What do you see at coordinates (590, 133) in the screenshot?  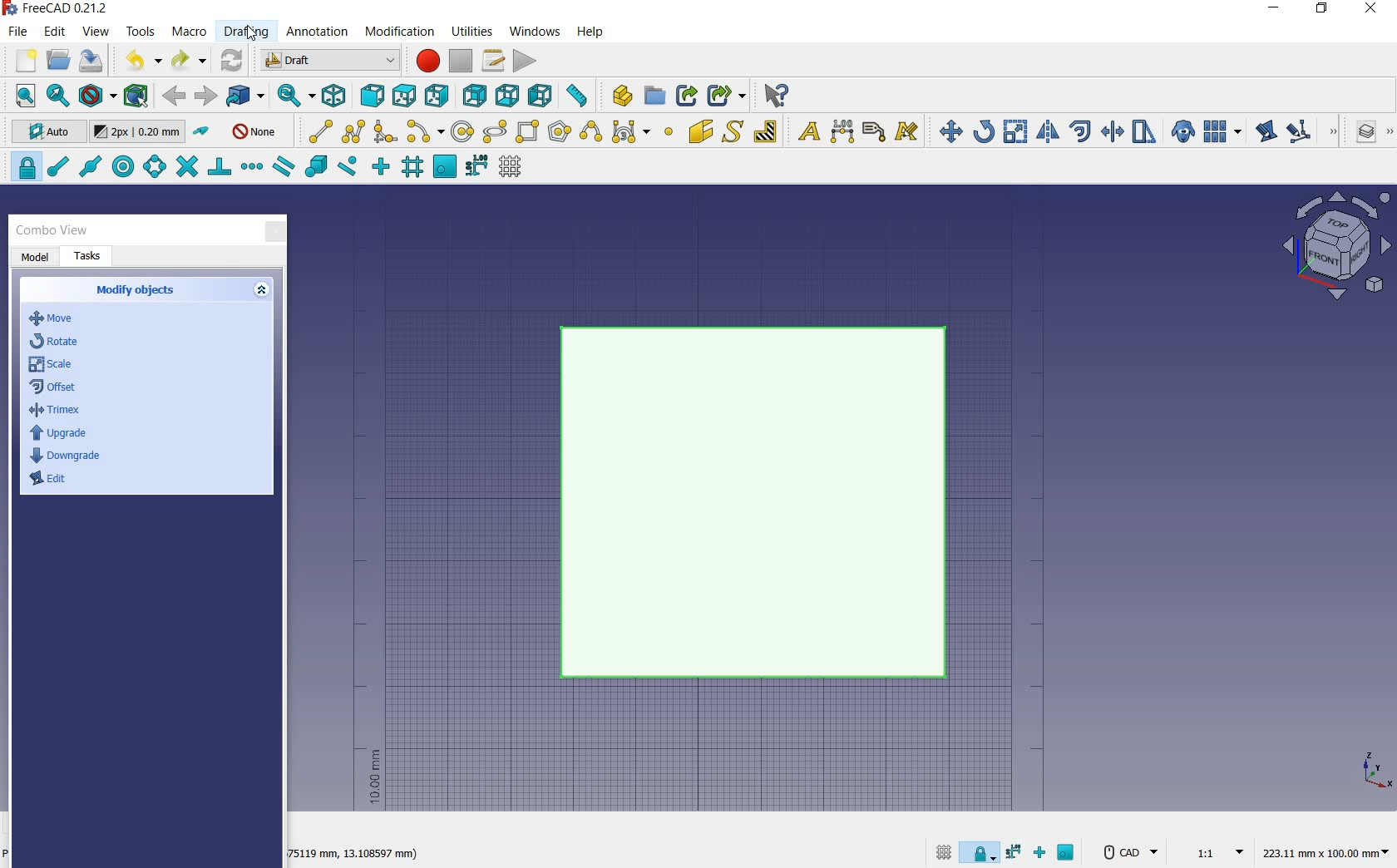 I see `b-spline` at bounding box center [590, 133].